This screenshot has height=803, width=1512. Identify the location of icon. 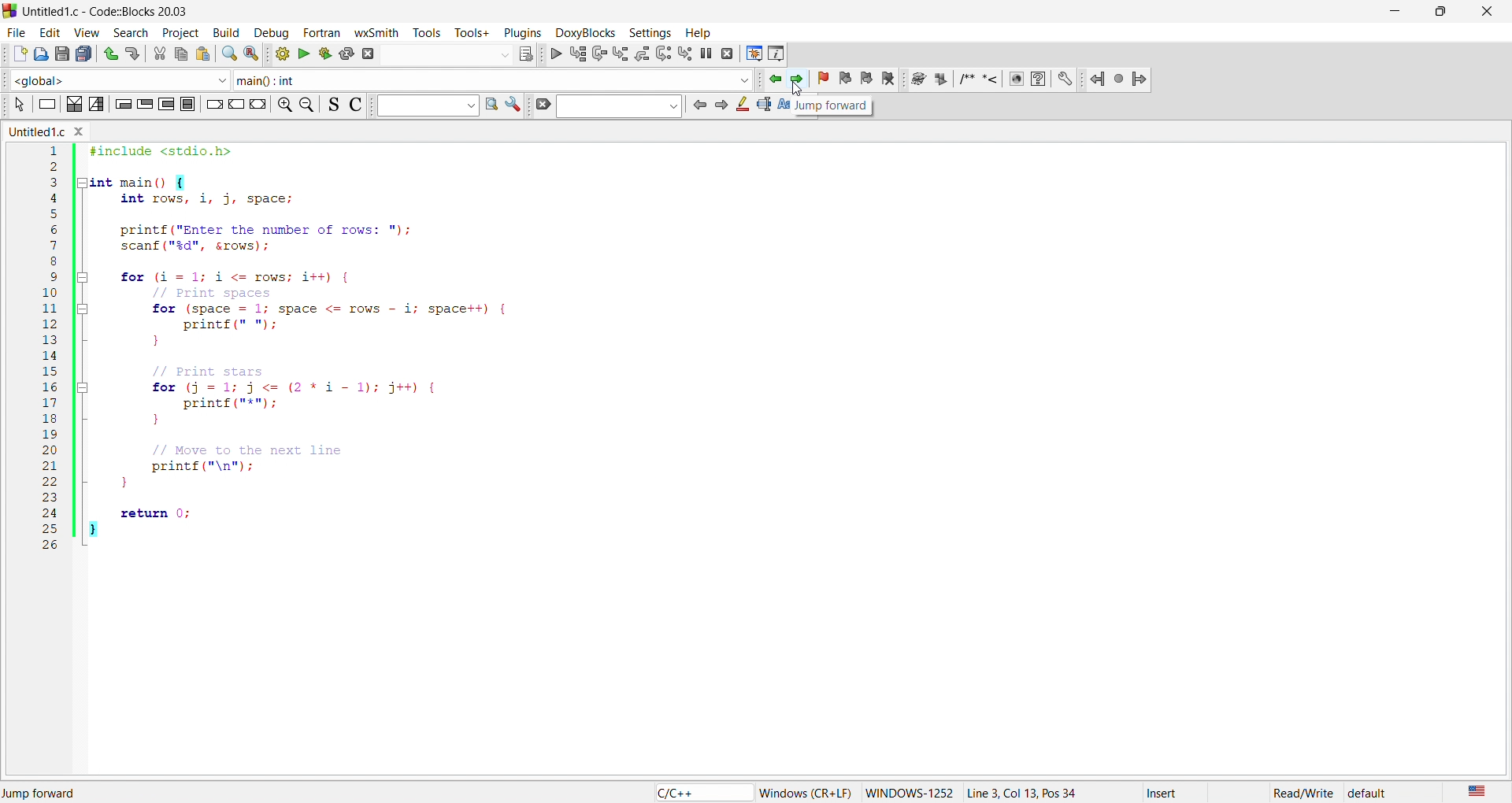
(141, 105).